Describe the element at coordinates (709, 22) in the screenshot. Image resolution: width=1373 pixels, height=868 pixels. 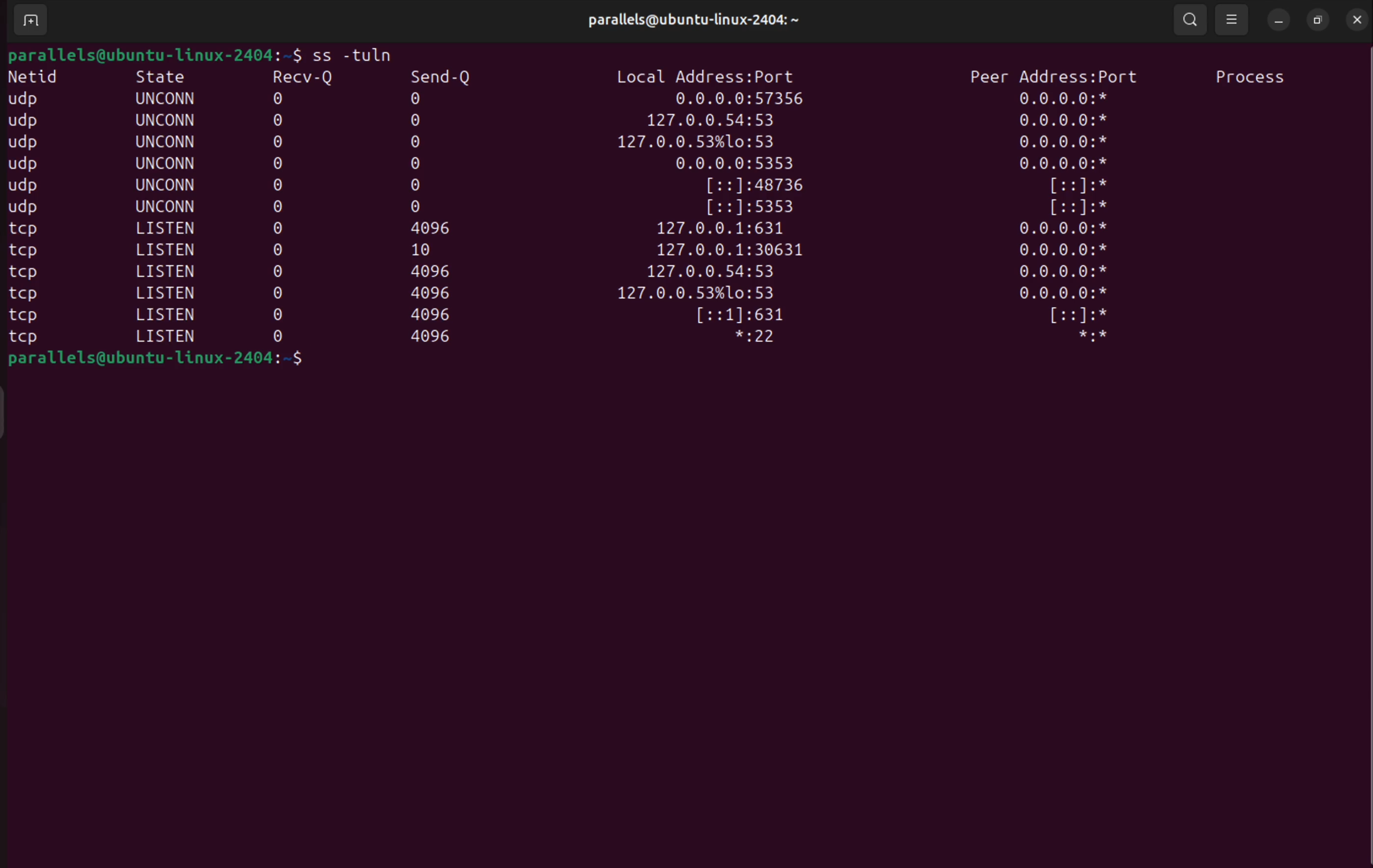
I see `user profile` at that location.